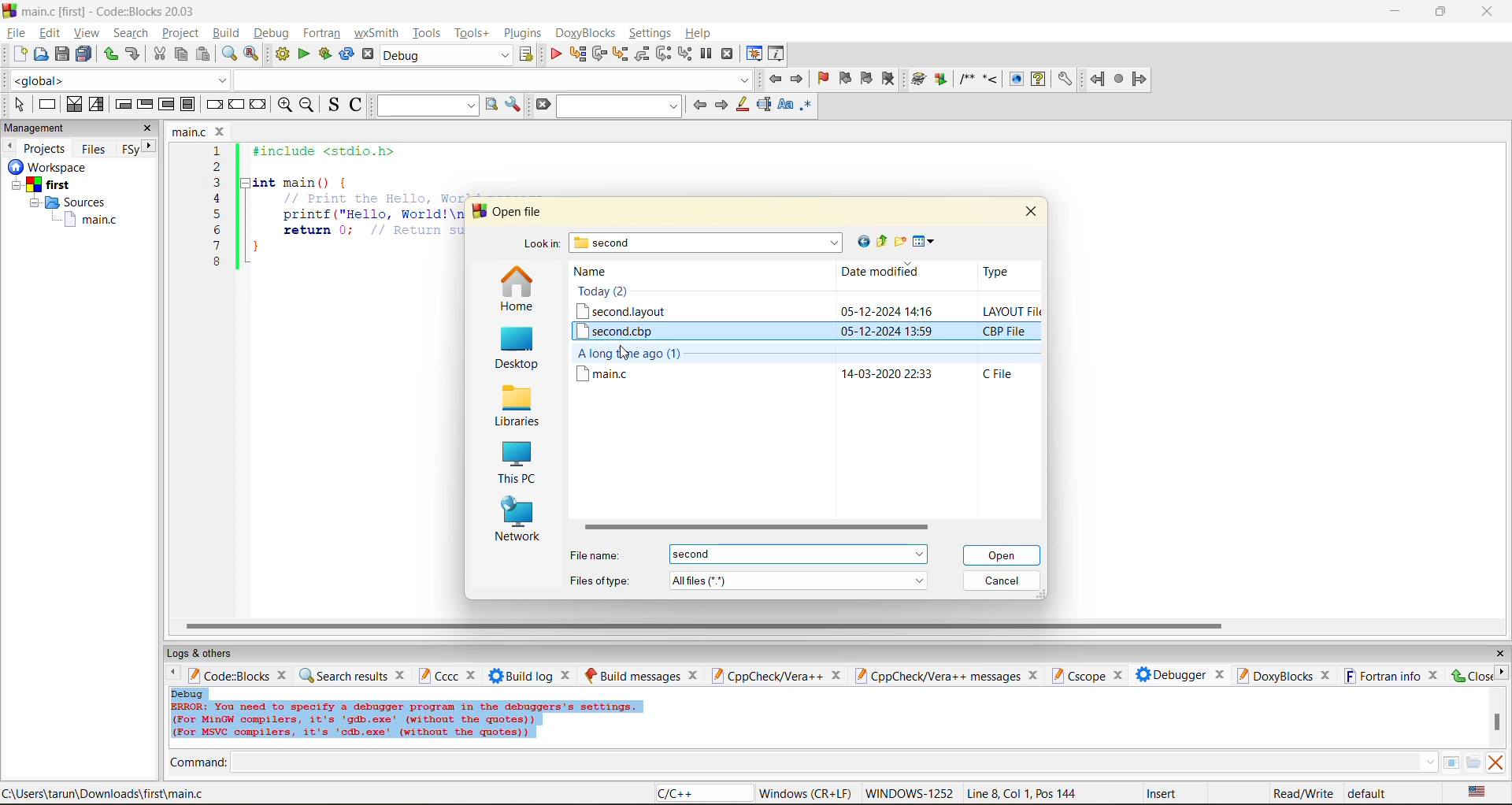 This screenshot has width=1512, height=805. Describe the element at coordinates (88, 32) in the screenshot. I see `view` at that location.